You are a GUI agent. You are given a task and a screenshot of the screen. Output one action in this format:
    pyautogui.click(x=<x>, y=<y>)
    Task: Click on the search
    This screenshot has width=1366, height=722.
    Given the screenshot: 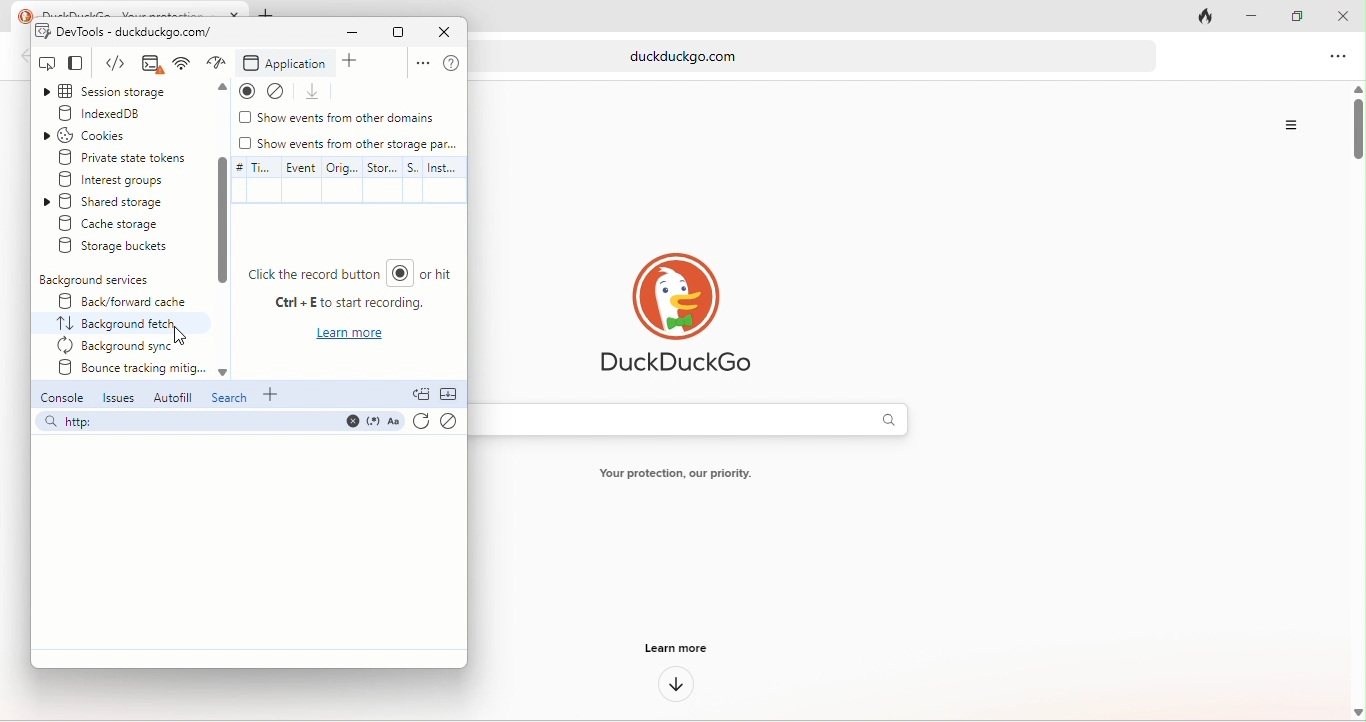 What is the action you would take?
    pyautogui.click(x=229, y=400)
    